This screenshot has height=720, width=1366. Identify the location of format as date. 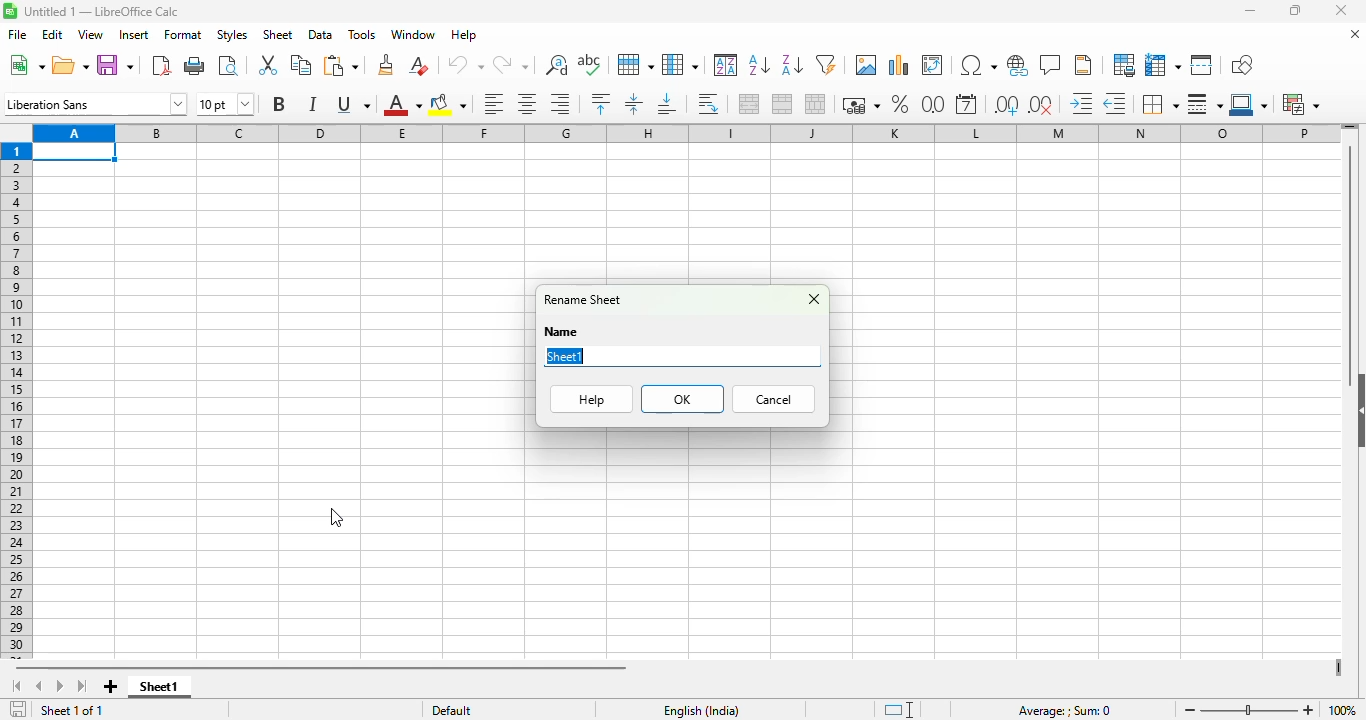
(967, 103).